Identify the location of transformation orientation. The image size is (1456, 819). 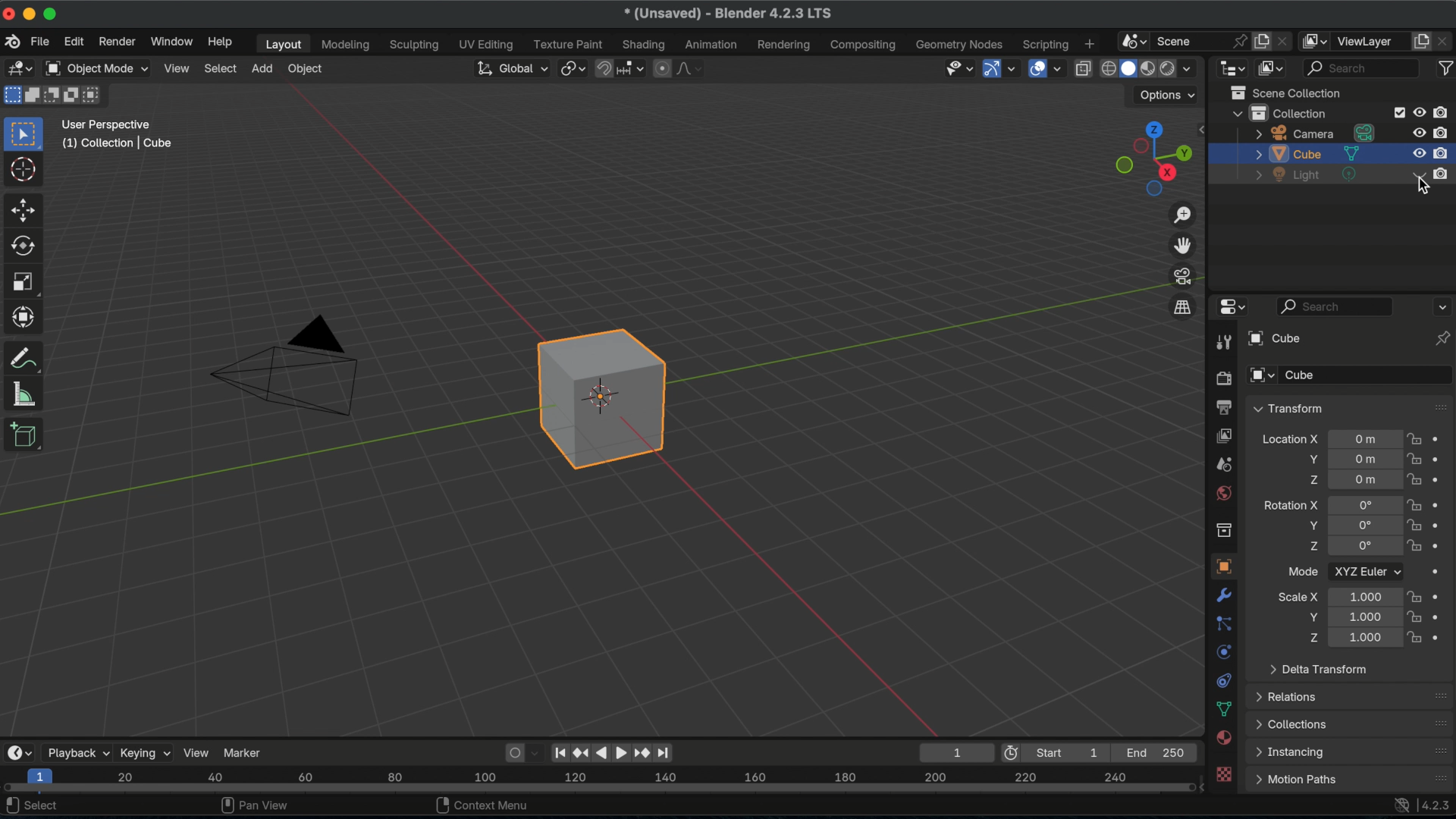
(508, 67).